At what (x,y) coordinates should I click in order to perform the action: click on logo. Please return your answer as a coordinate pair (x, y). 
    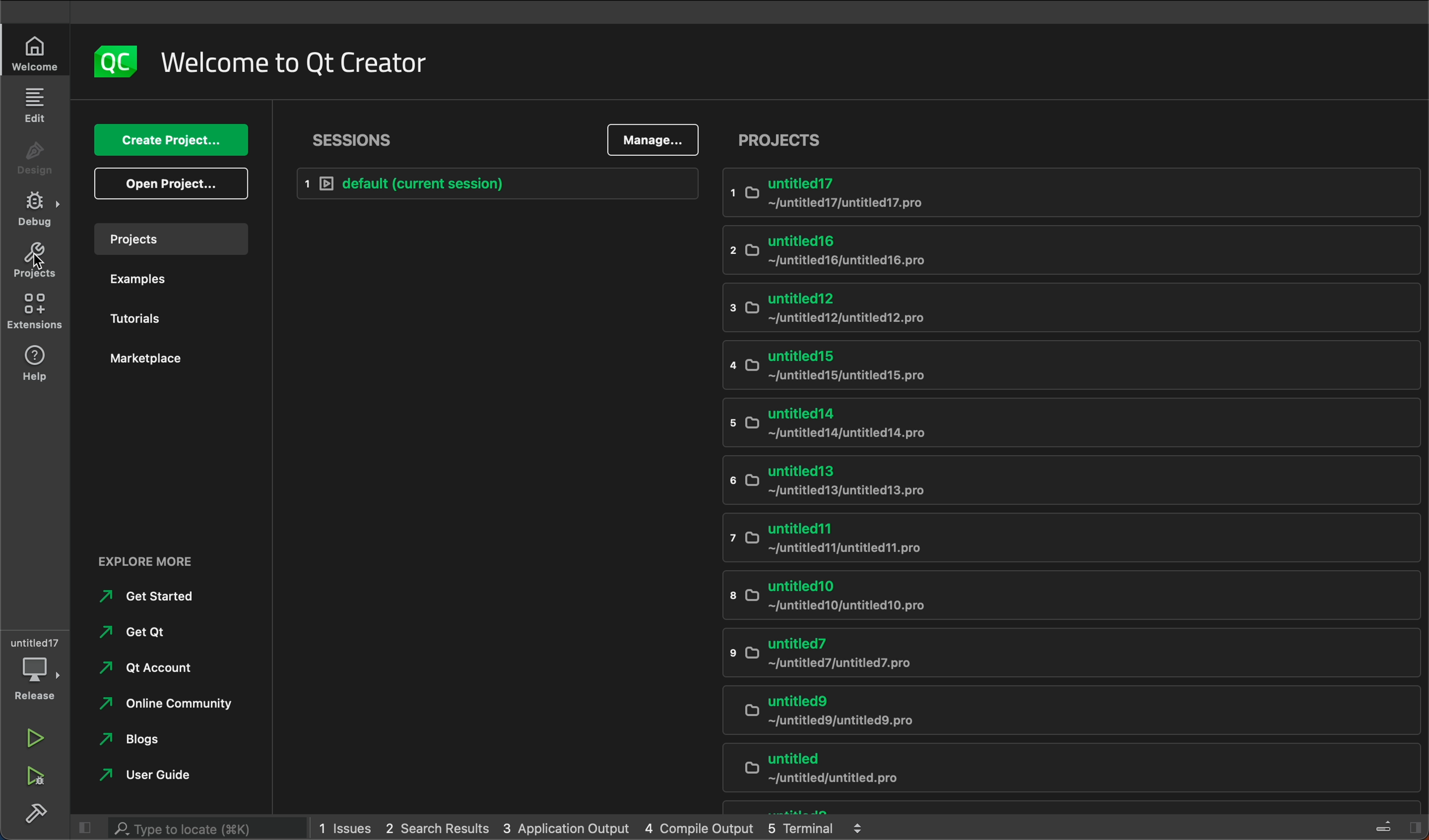
    Looking at the image, I should click on (120, 60).